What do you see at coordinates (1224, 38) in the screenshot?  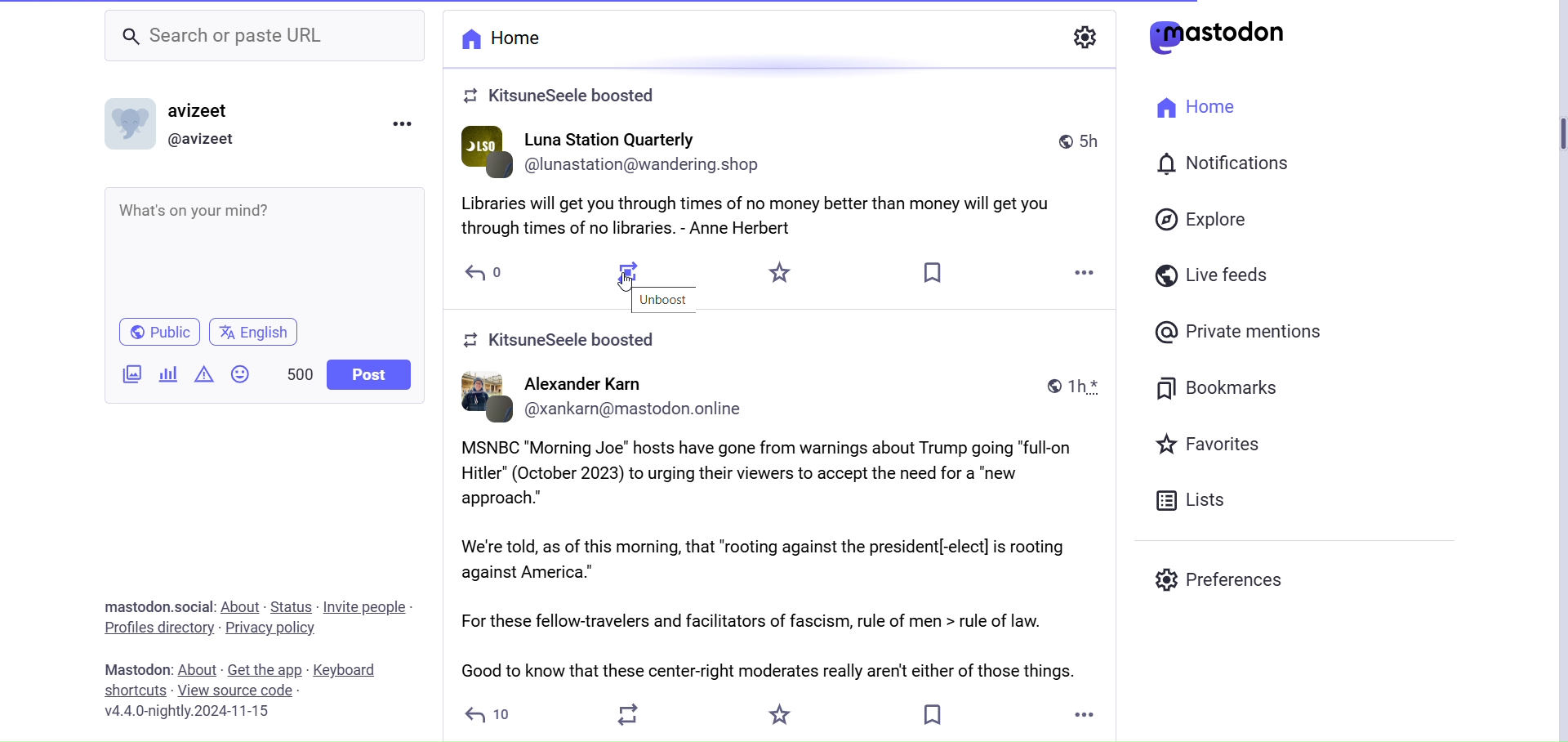 I see `Logo` at bounding box center [1224, 38].